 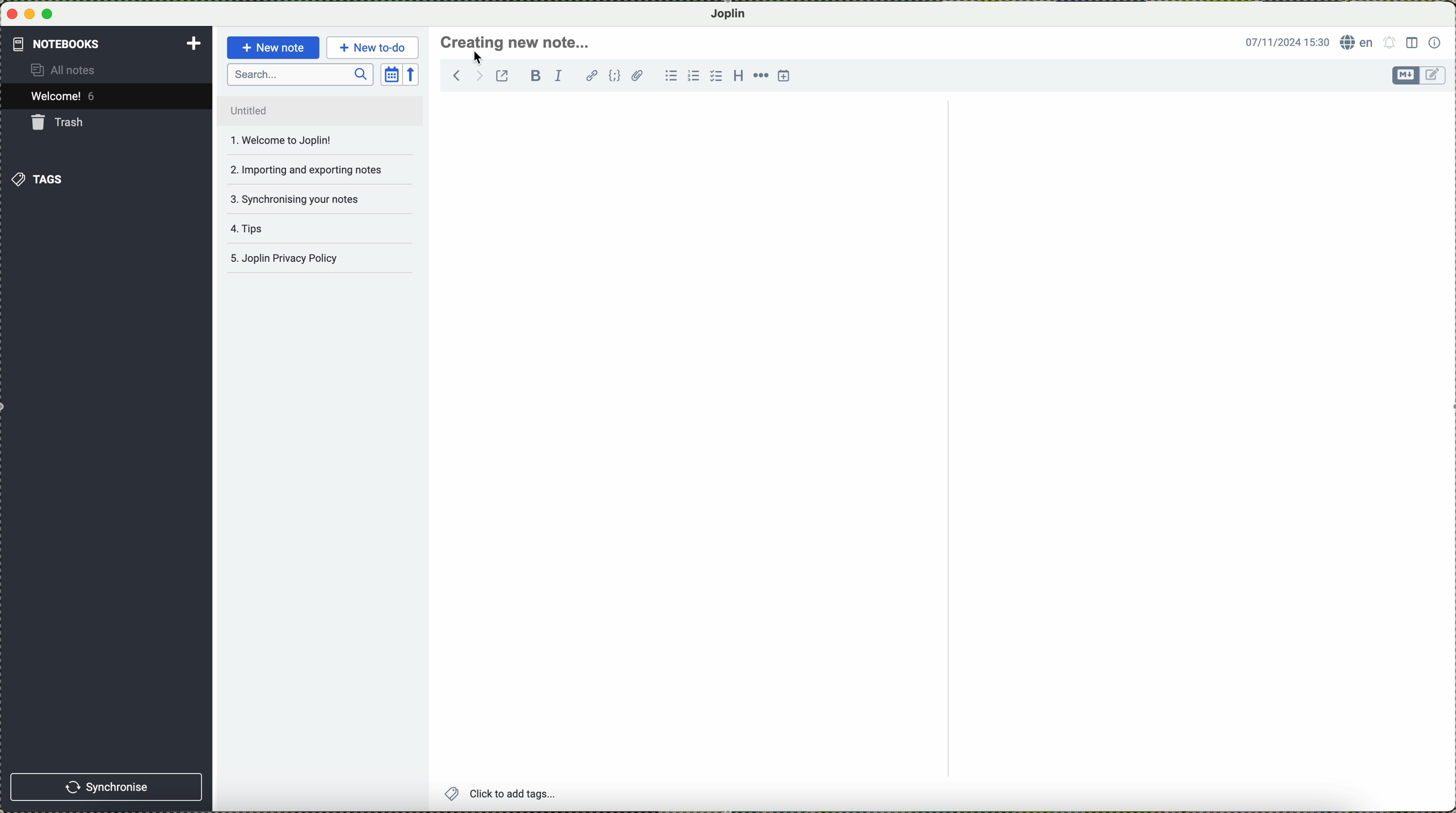 What do you see at coordinates (459, 77) in the screenshot?
I see `navigate` at bounding box center [459, 77].